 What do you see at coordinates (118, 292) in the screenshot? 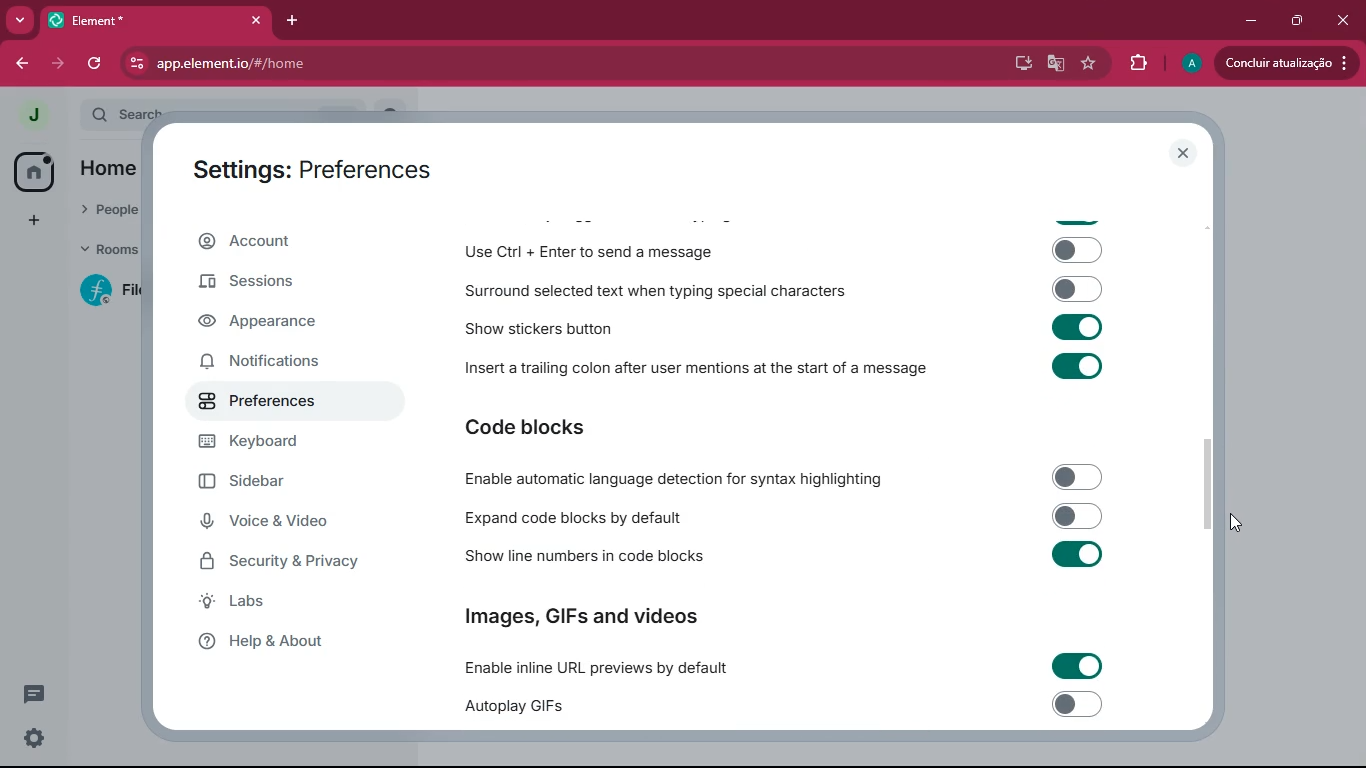
I see `filecoin lotus implementation ` at bounding box center [118, 292].